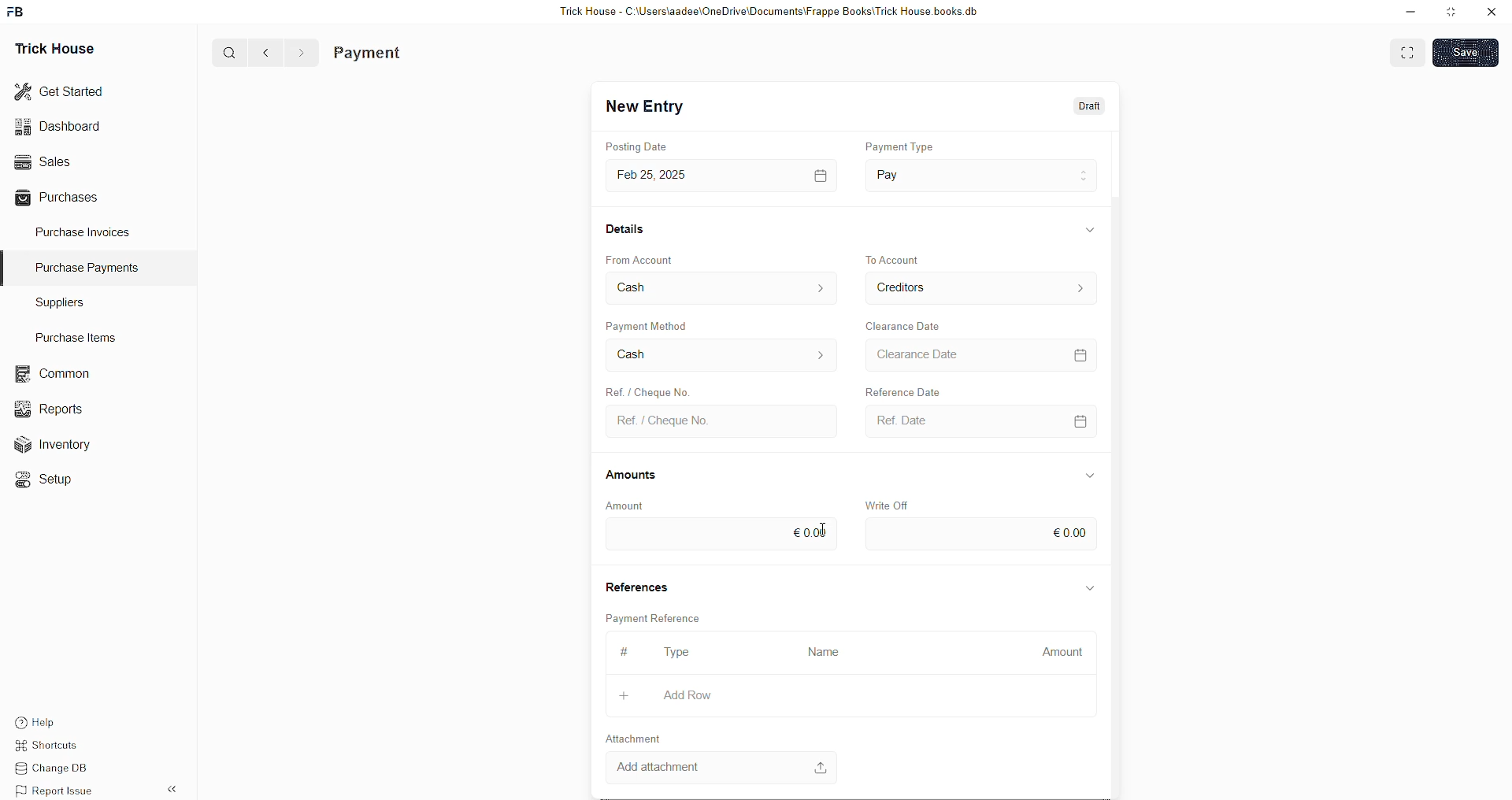  What do you see at coordinates (1410, 51) in the screenshot?
I see `EXPAND` at bounding box center [1410, 51].